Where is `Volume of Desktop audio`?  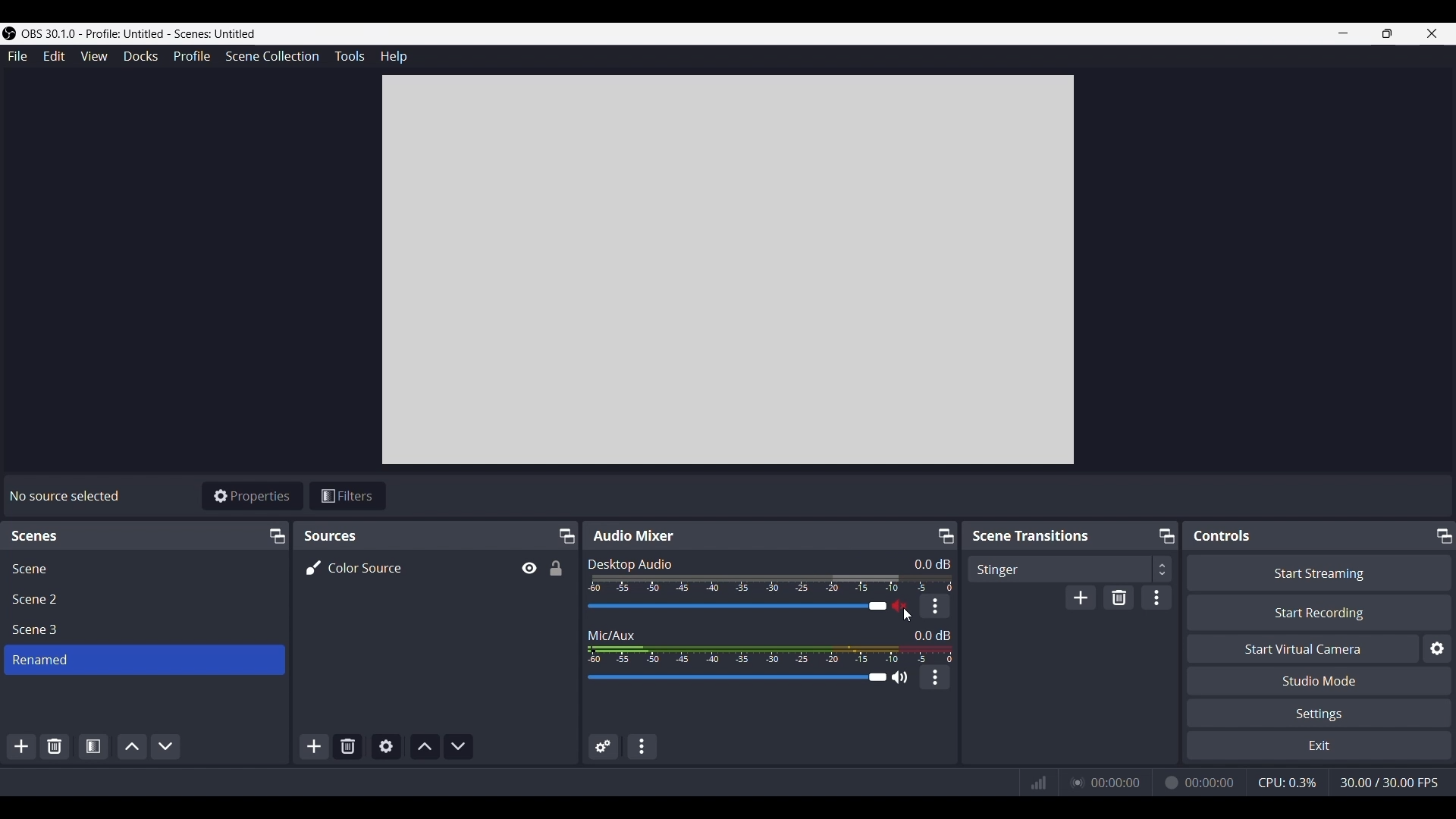 Volume of Desktop audio is located at coordinates (773, 583).